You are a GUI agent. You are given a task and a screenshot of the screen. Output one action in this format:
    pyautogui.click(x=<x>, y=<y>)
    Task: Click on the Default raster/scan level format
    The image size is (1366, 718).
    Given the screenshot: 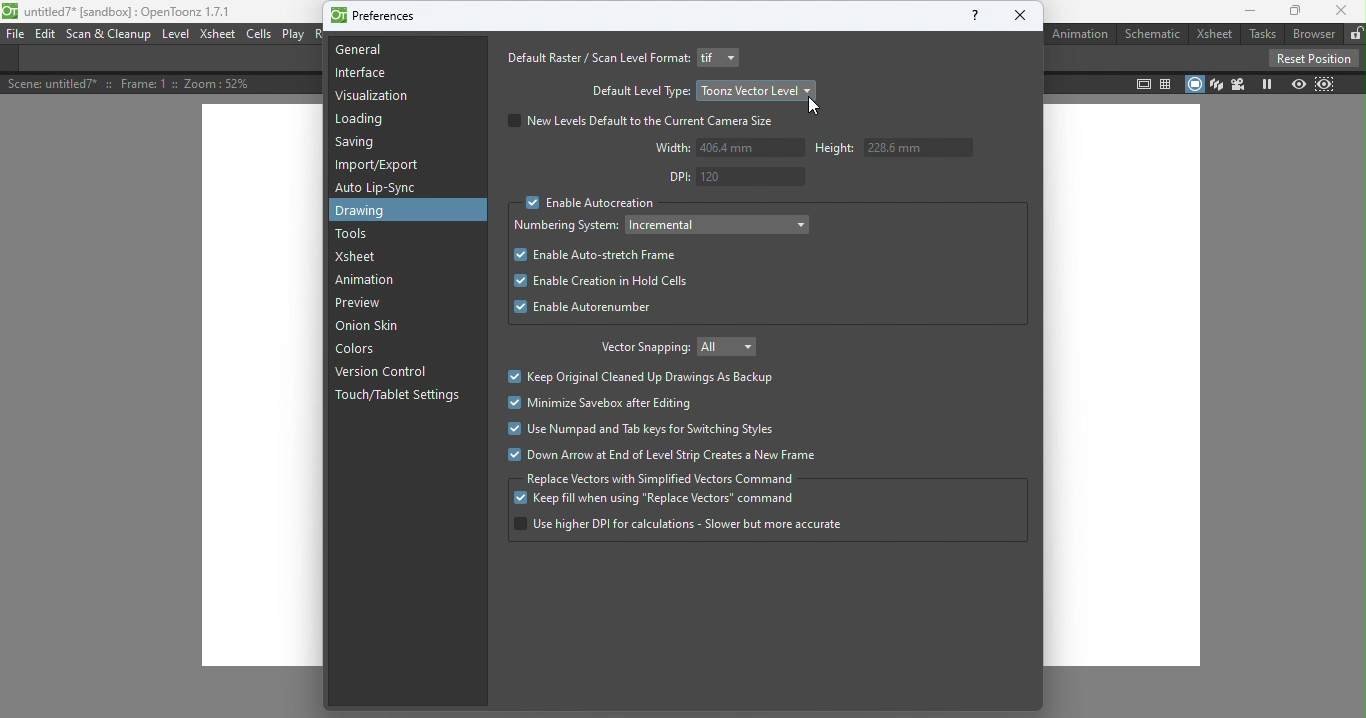 What is the action you would take?
    pyautogui.click(x=594, y=58)
    